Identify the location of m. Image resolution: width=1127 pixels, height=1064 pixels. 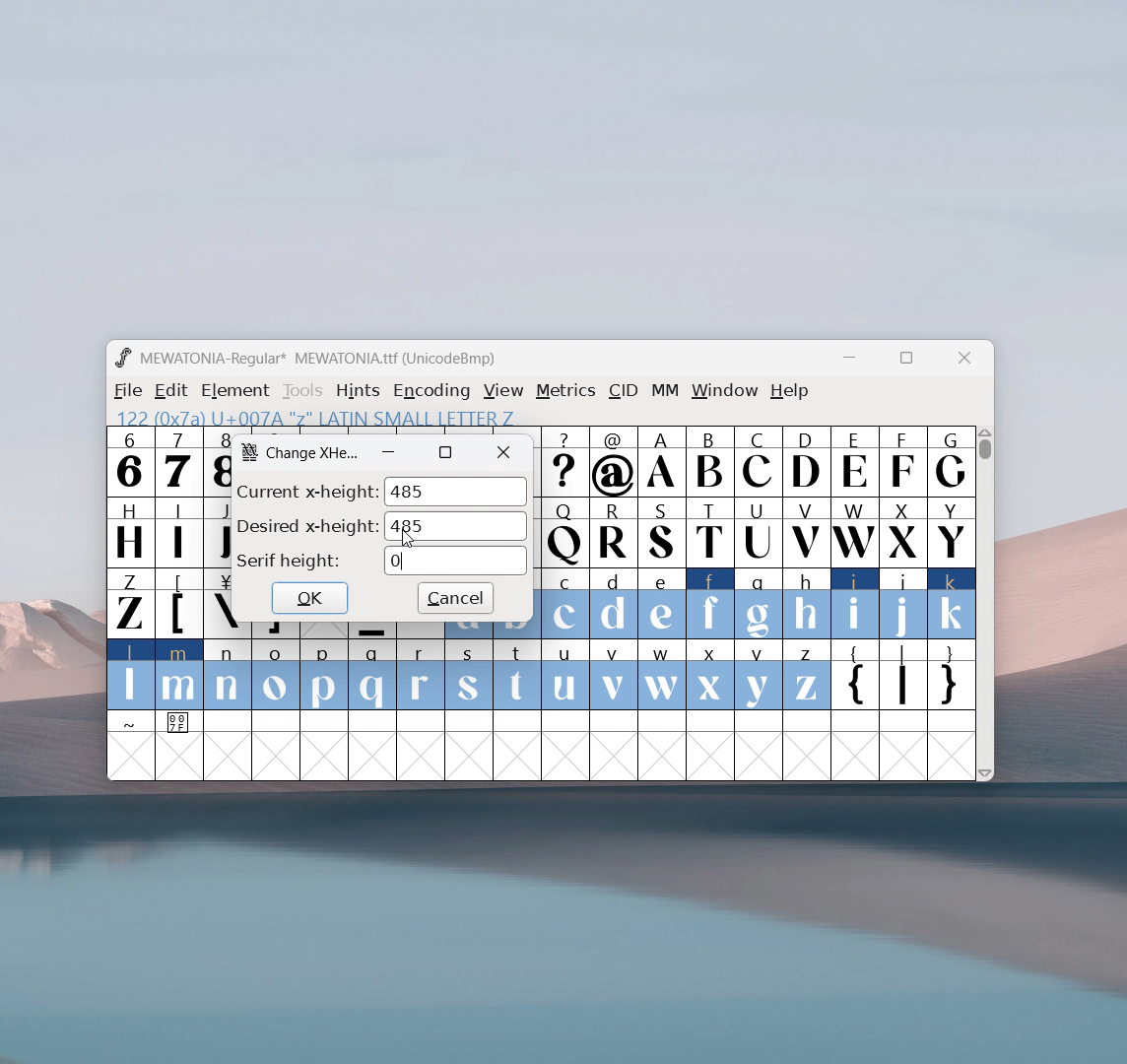
(179, 675).